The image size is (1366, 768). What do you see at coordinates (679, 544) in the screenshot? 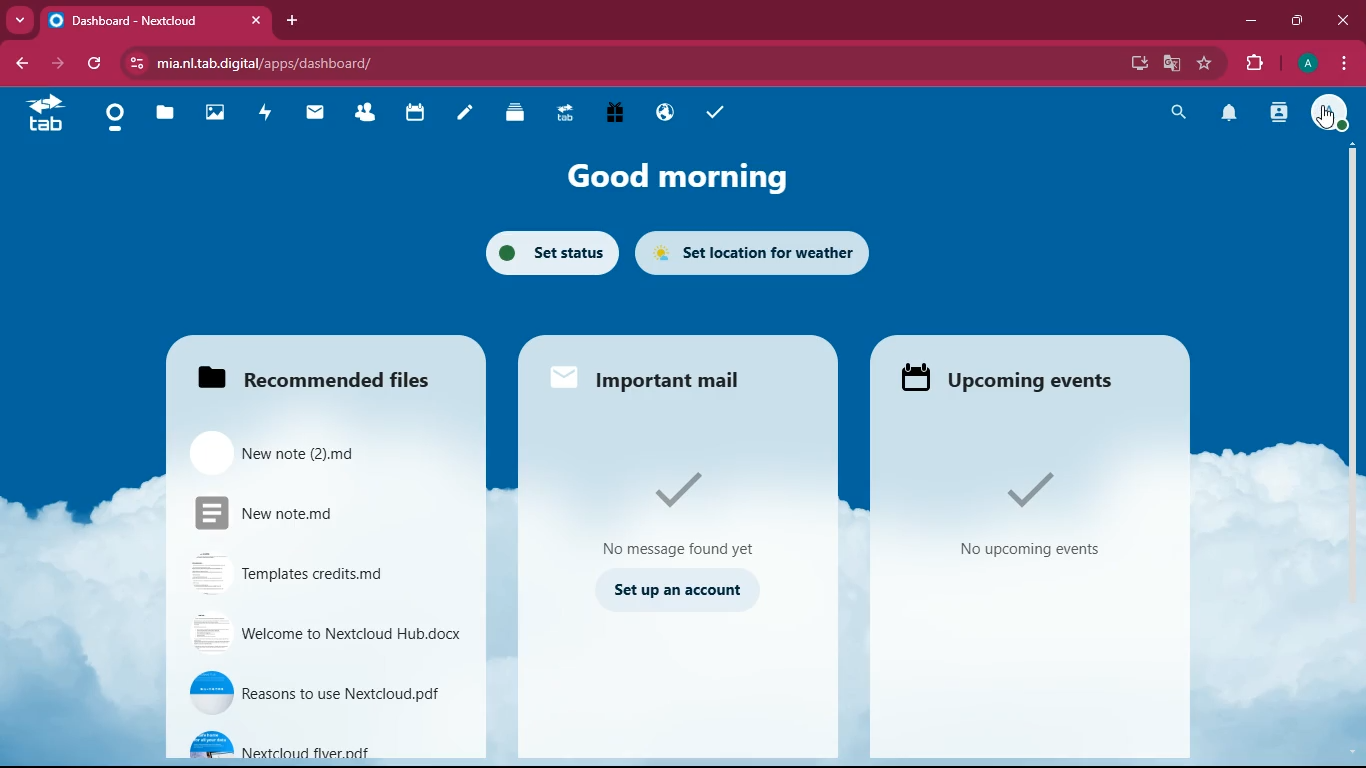
I see `No message found yet` at bounding box center [679, 544].